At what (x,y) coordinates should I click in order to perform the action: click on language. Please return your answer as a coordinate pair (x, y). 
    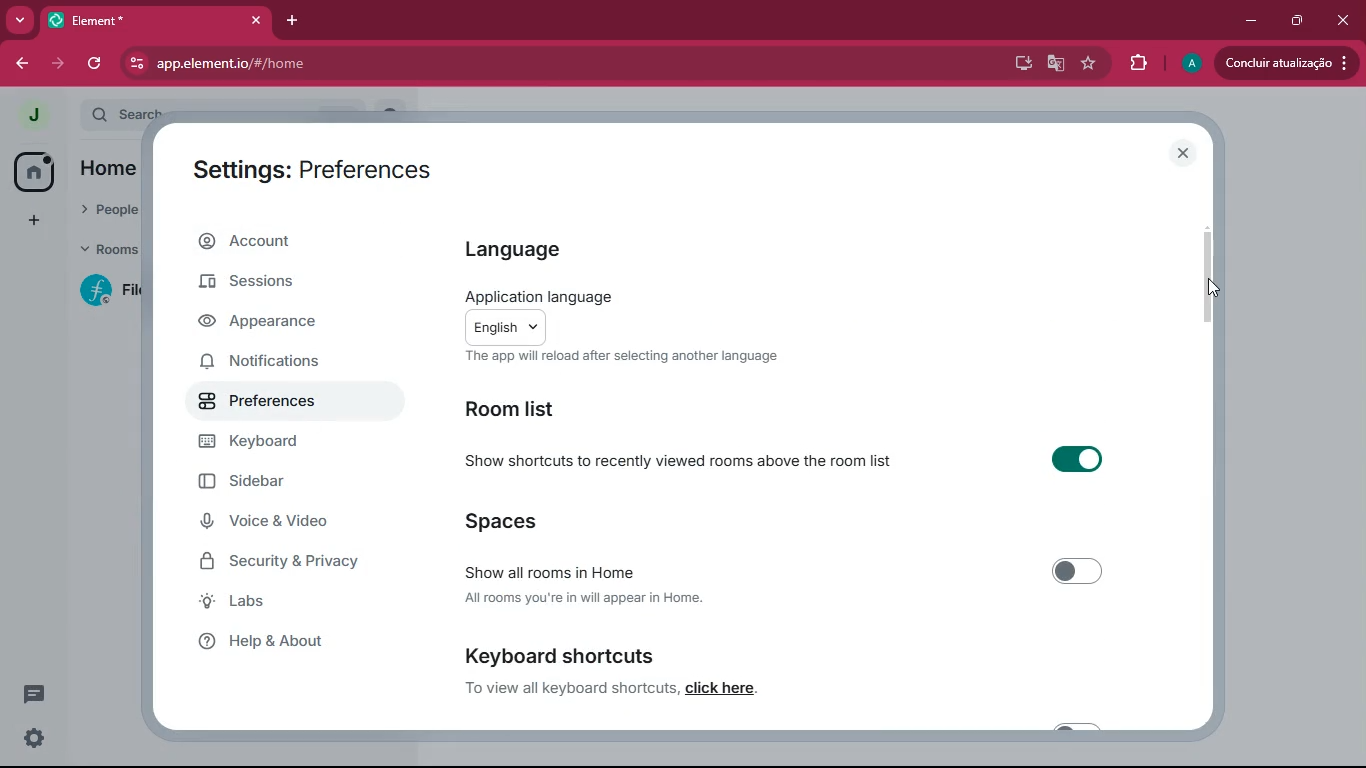
    Looking at the image, I should click on (532, 250).